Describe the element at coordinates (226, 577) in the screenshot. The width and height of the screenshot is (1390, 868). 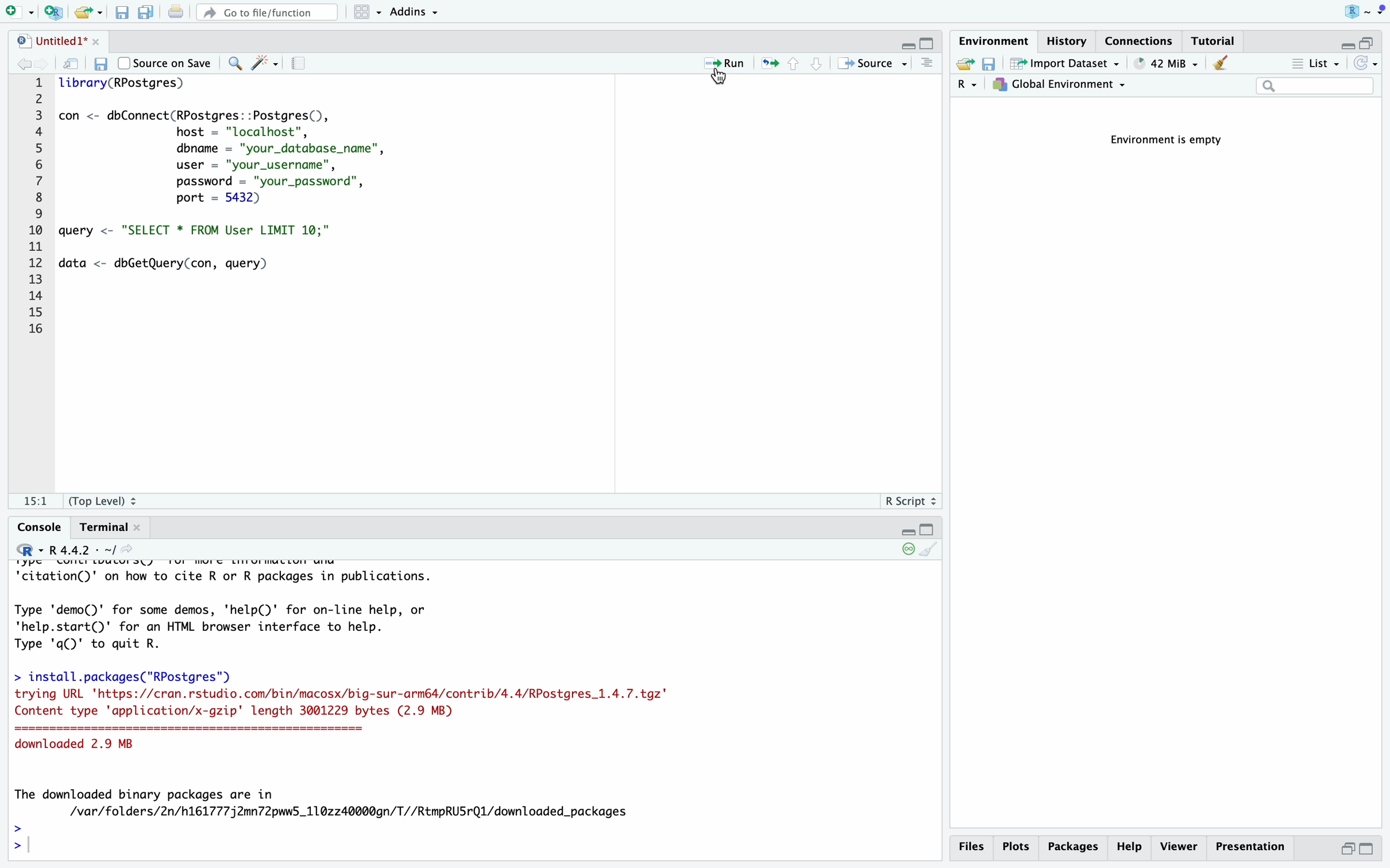
I see `citation` at that location.